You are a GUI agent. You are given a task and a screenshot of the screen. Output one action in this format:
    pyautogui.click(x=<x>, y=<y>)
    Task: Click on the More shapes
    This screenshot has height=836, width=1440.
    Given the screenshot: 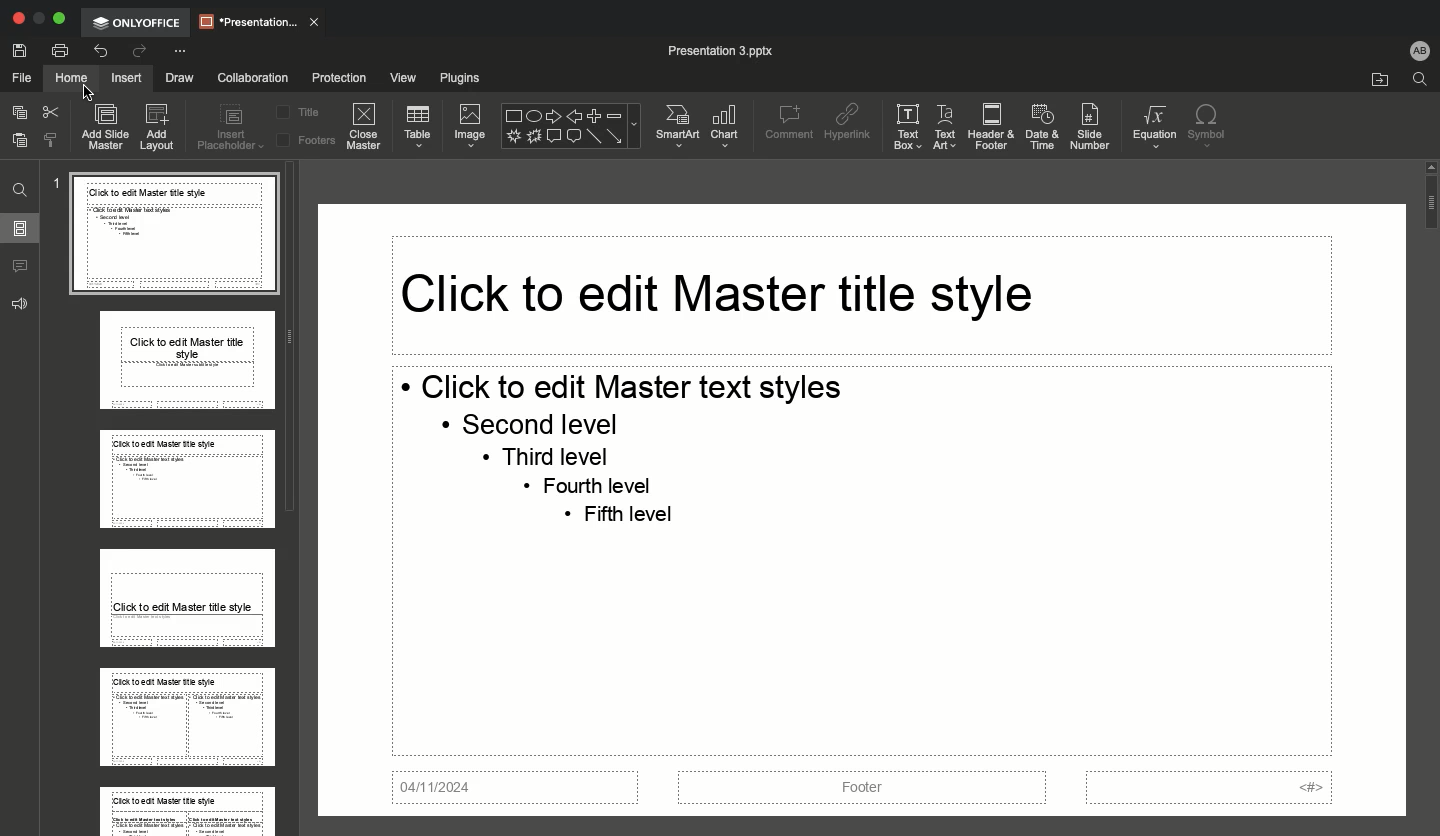 What is the action you would take?
    pyautogui.click(x=640, y=124)
    